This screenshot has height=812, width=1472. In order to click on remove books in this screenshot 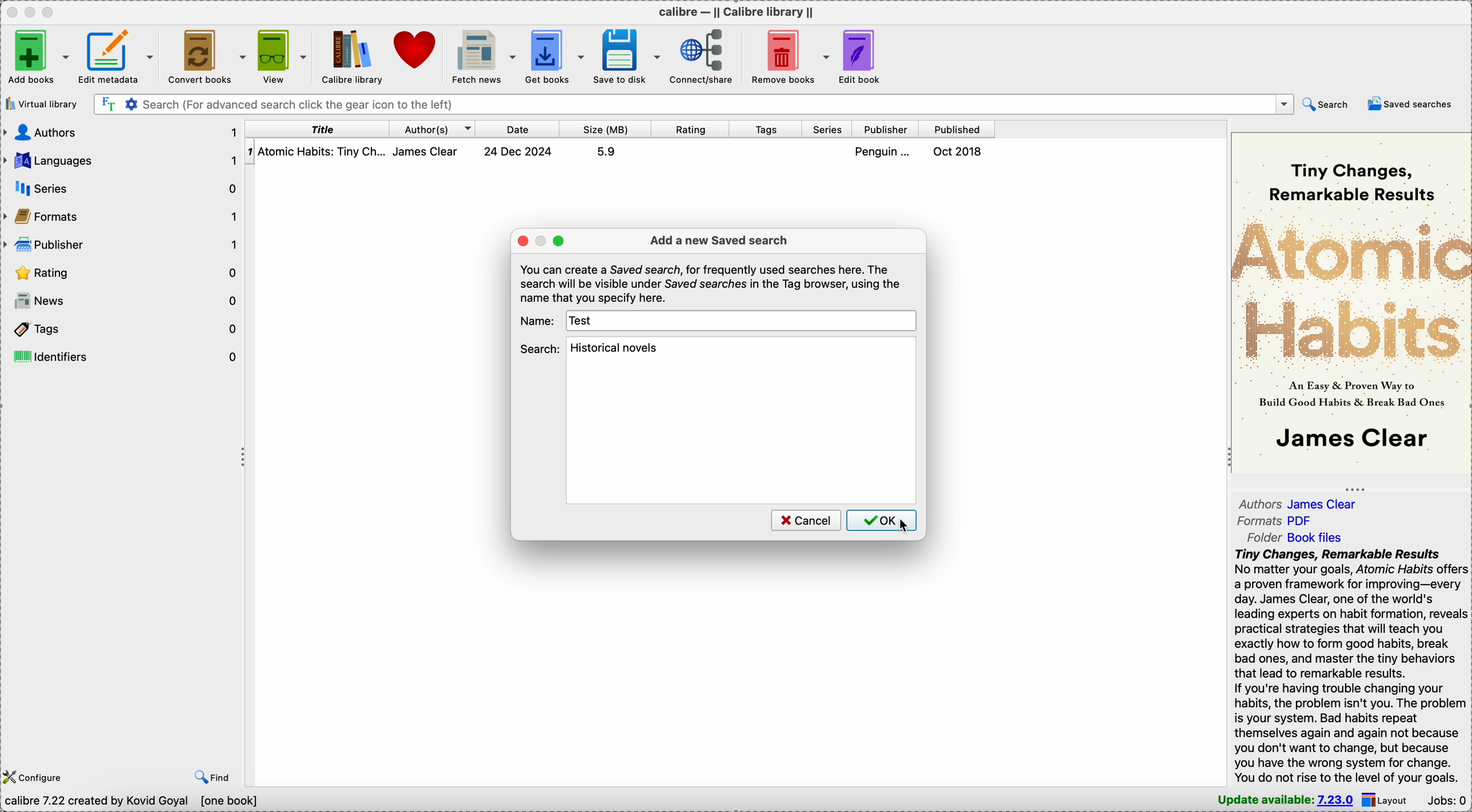, I will do `click(791, 55)`.